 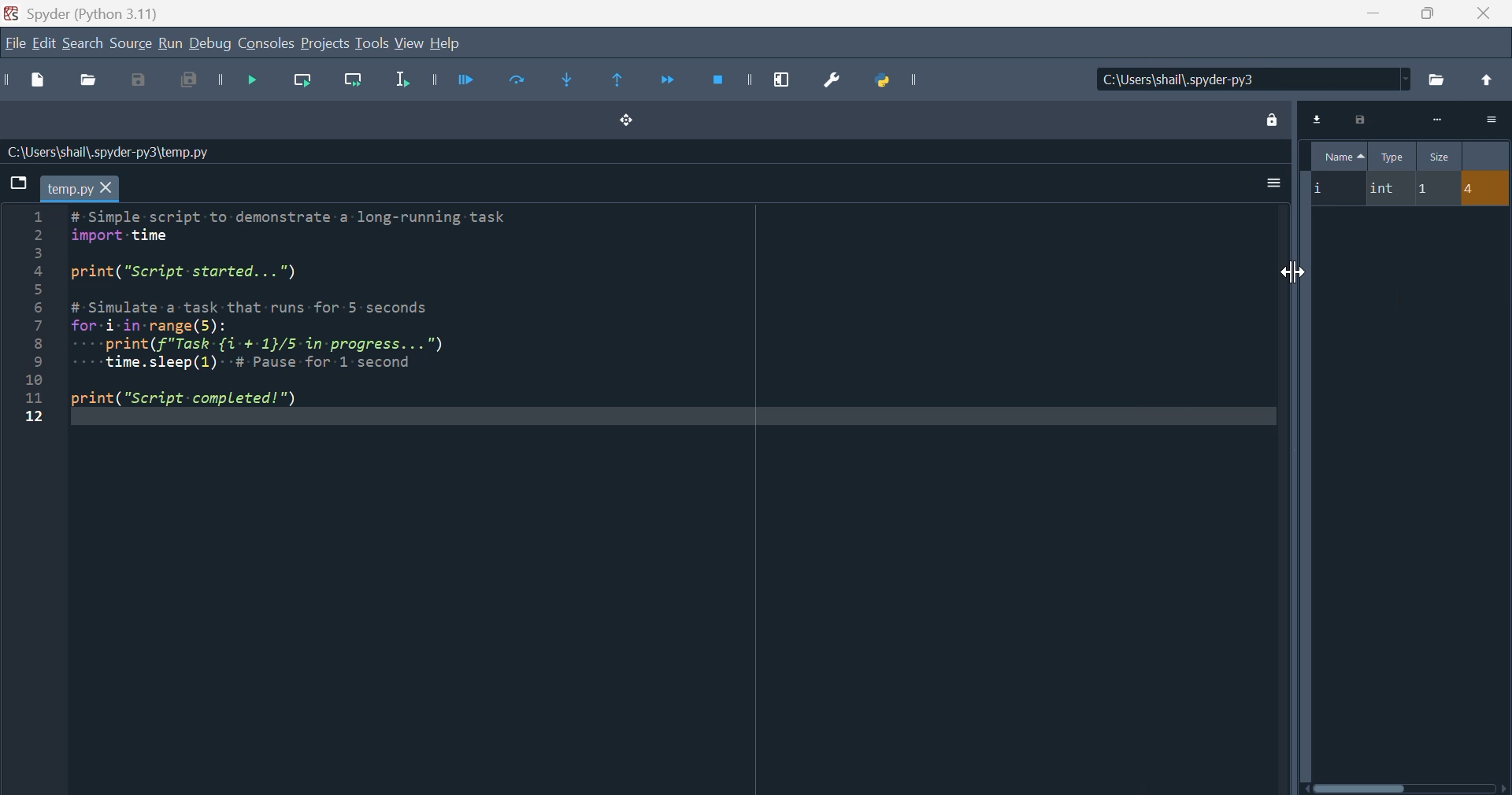 I want to click on change to parent directory, so click(x=1487, y=80).